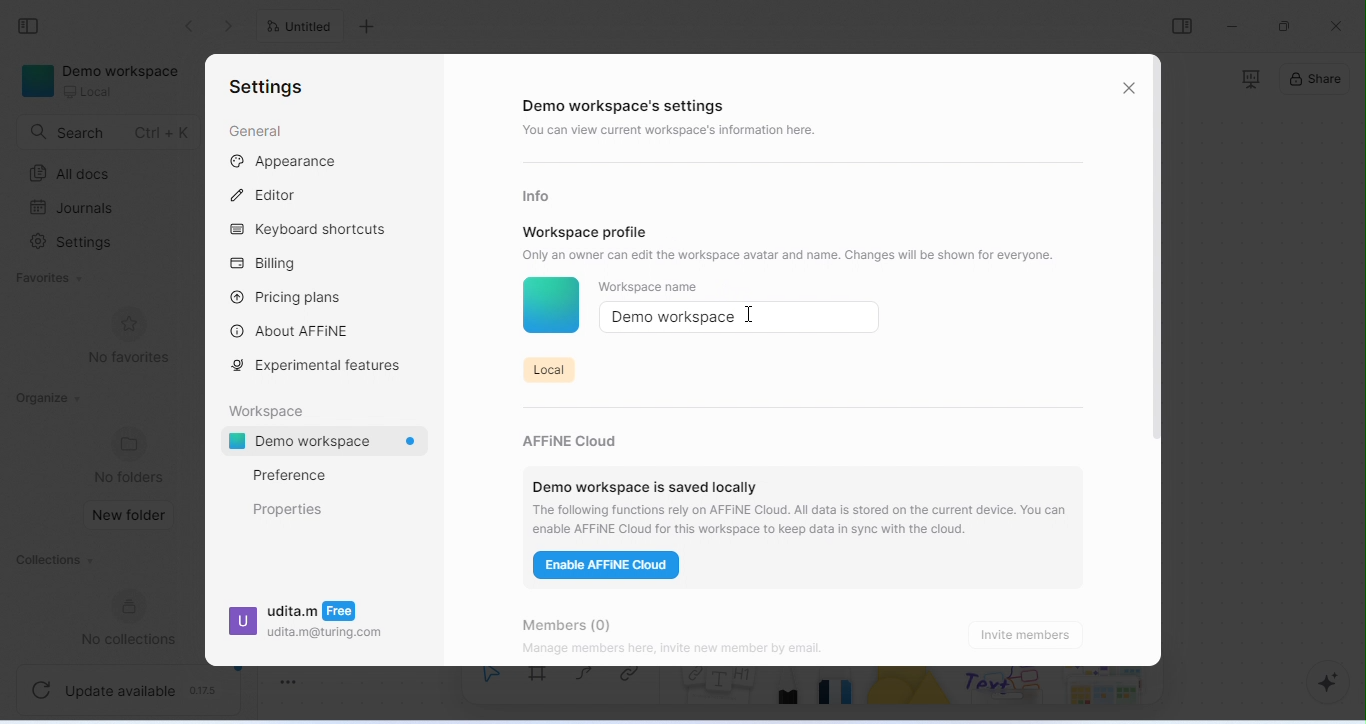 This screenshot has width=1366, height=724. Describe the element at coordinates (330, 443) in the screenshot. I see `demo workspace` at that location.